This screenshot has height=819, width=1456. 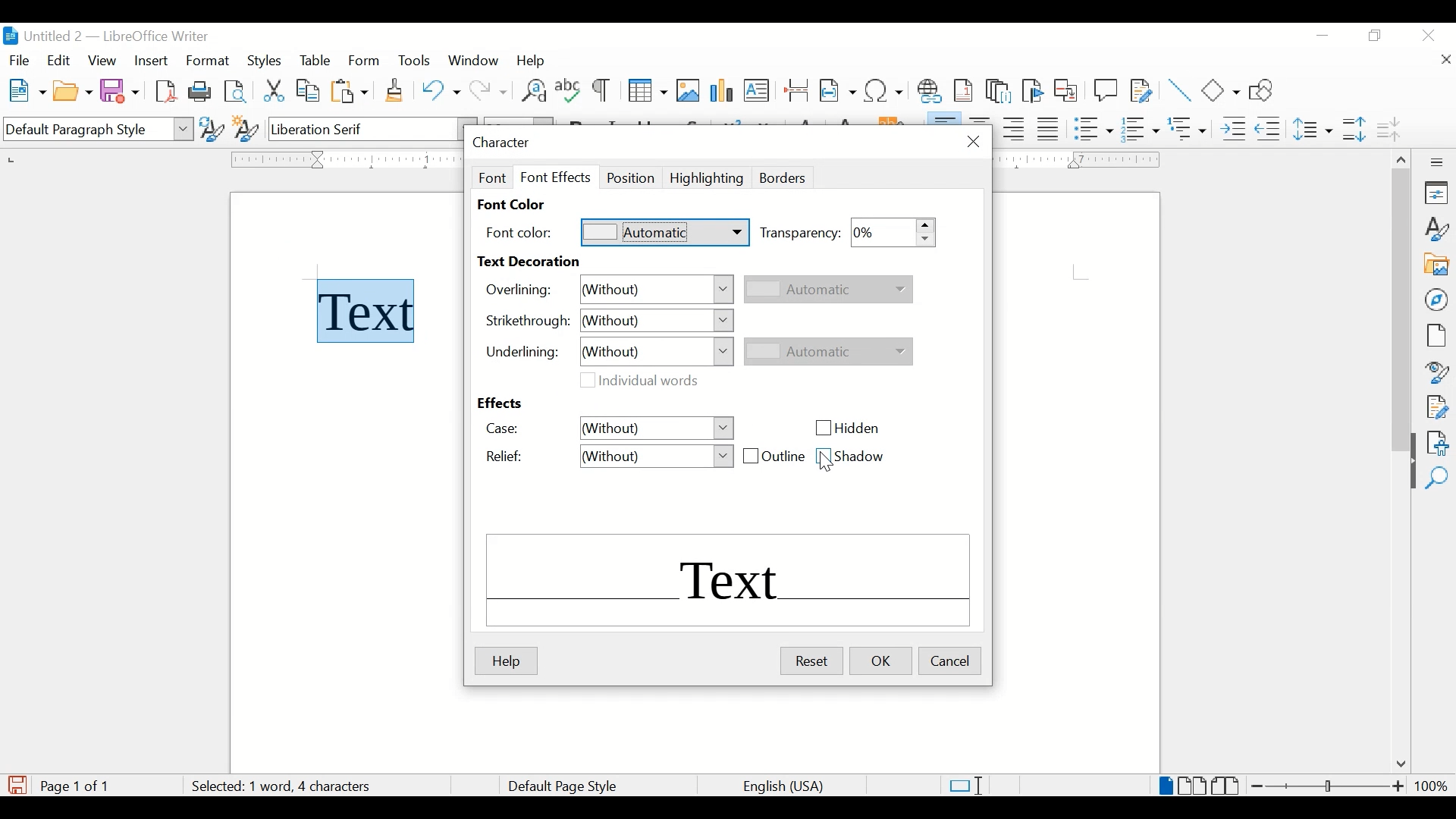 I want to click on without, so click(x=657, y=428).